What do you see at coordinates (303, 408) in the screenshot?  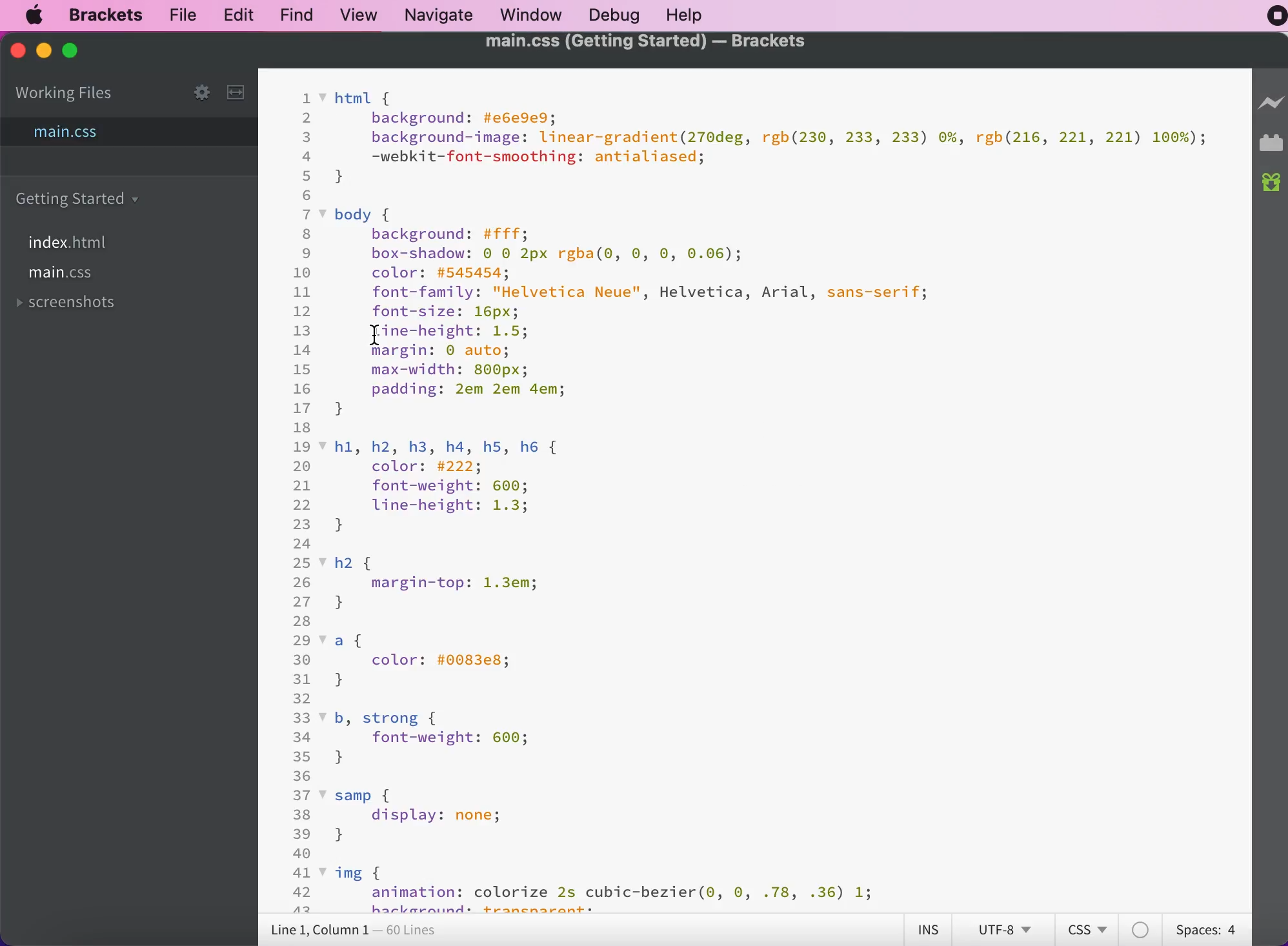 I see `17` at bounding box center [303, 408].